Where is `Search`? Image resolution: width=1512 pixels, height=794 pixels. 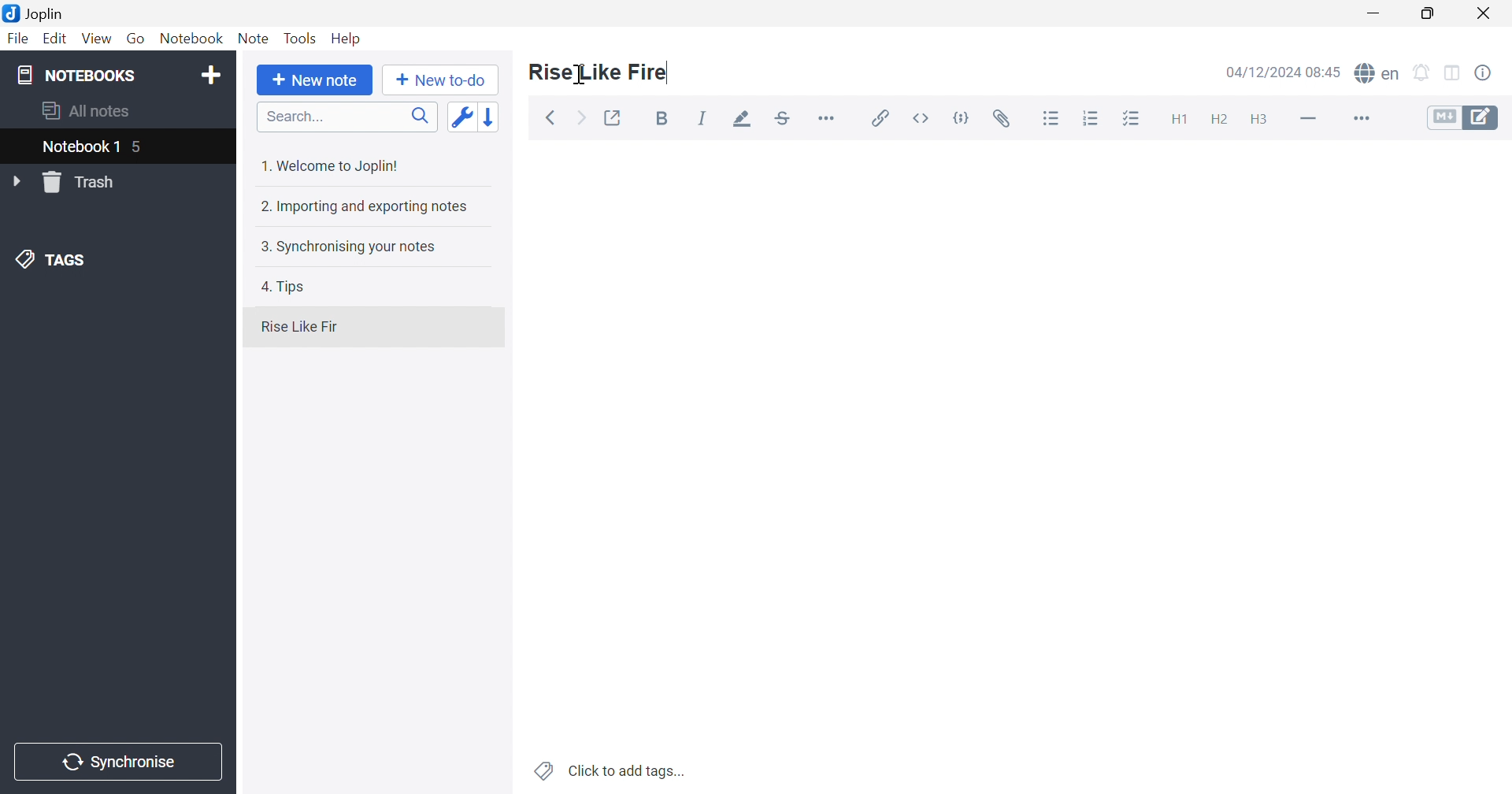
Search is located at coordinates (349, 117).